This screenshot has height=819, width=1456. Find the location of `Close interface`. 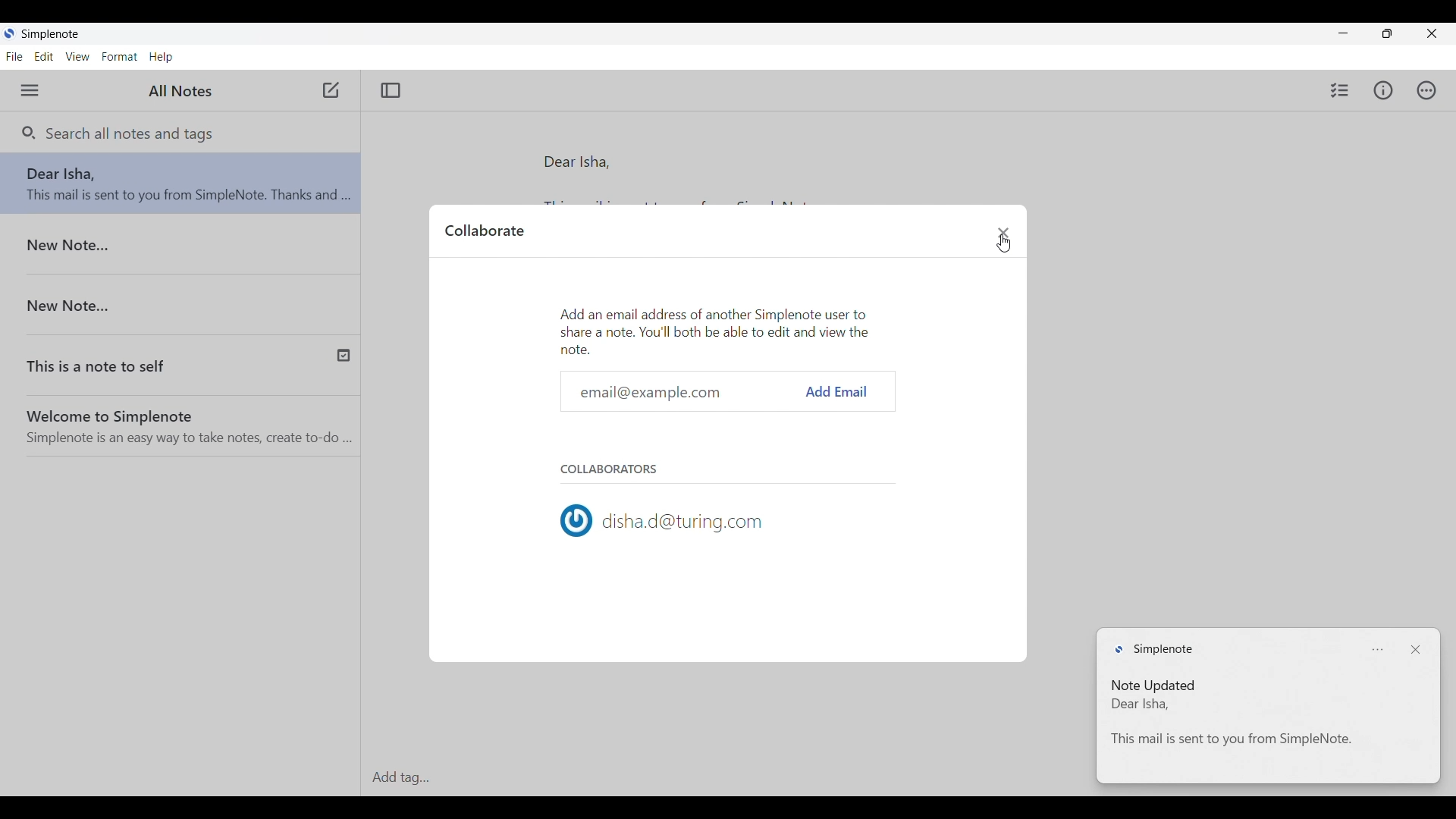

Close interface is located at coordinates (1431, 33).